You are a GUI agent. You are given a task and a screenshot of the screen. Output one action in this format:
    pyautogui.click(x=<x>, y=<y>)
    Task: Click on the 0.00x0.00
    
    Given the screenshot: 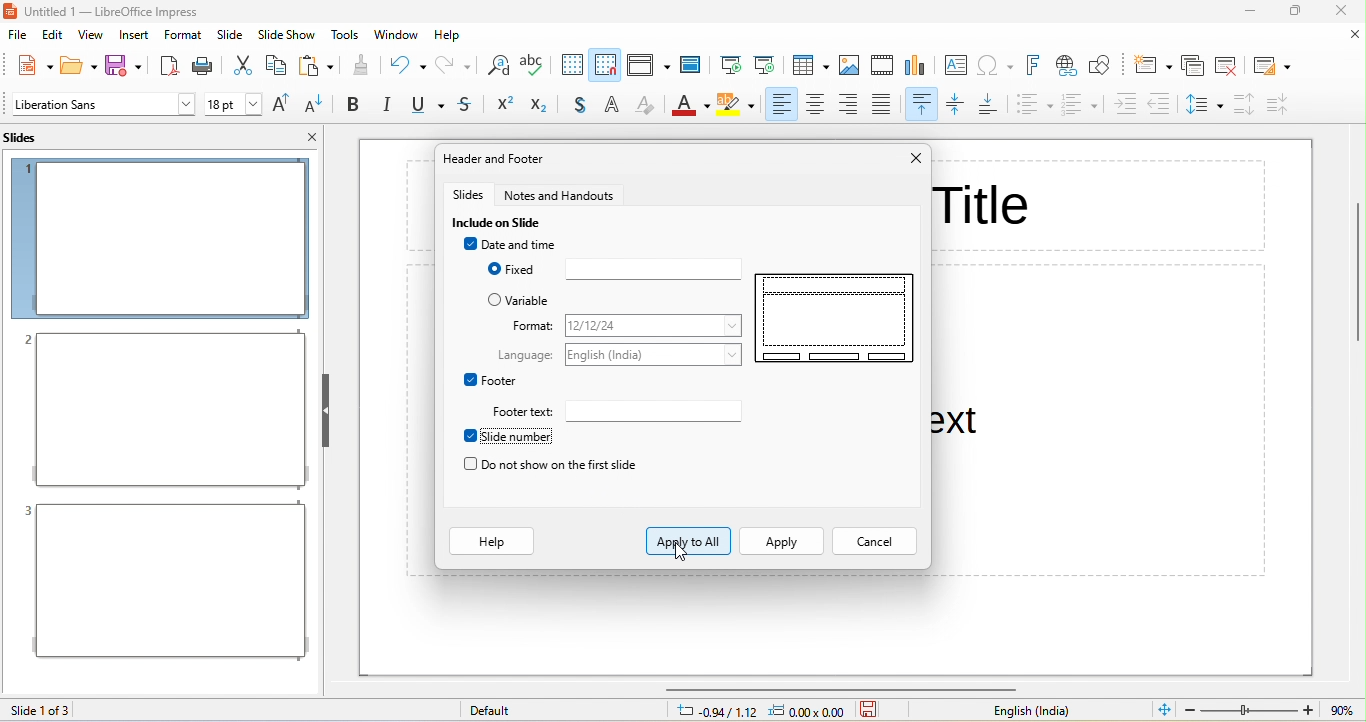 What is the action you would take?
    pyautogui.click(x=811, y=712)
    